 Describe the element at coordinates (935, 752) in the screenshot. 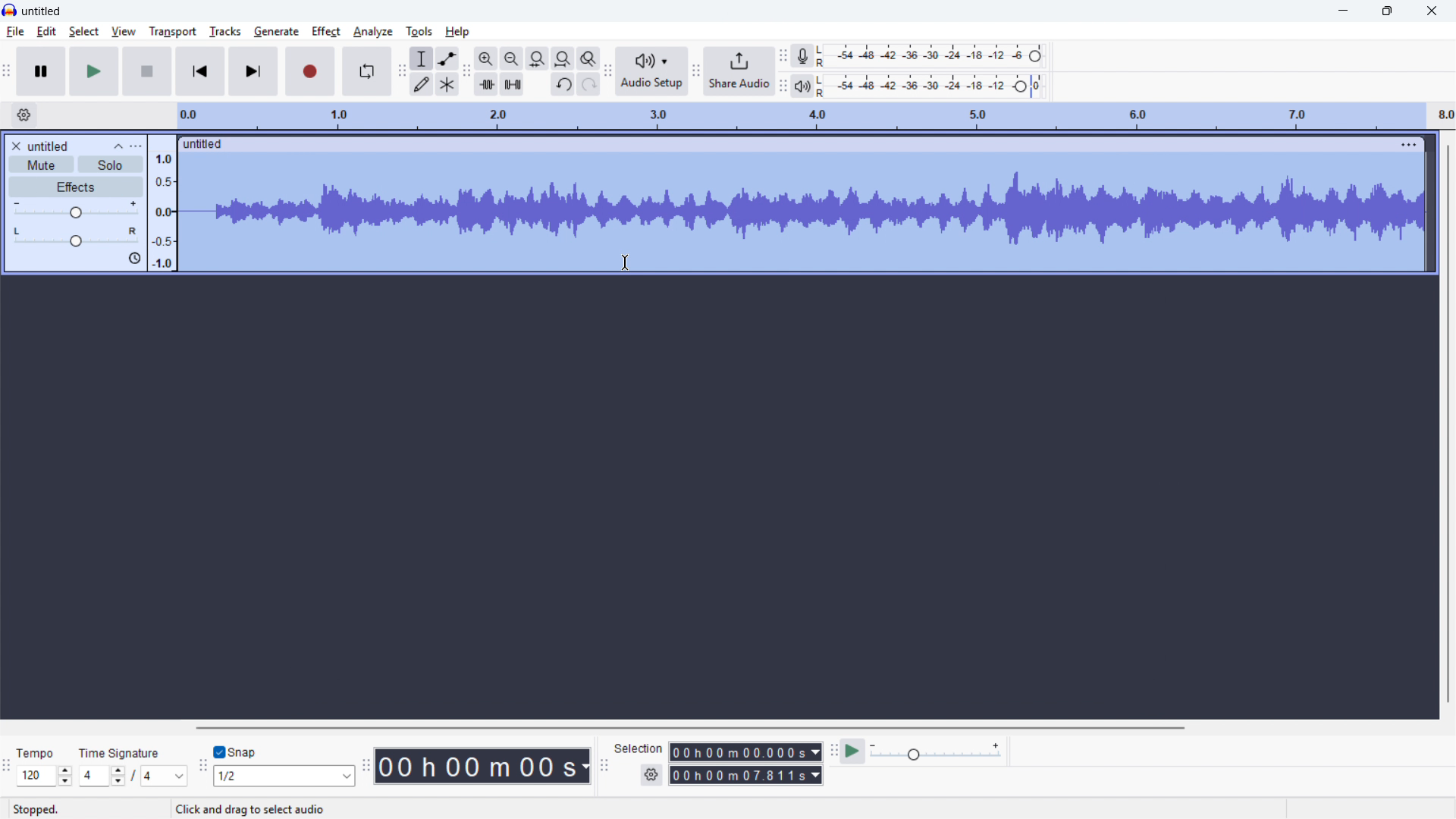

I see `Playback speed ` at that location.